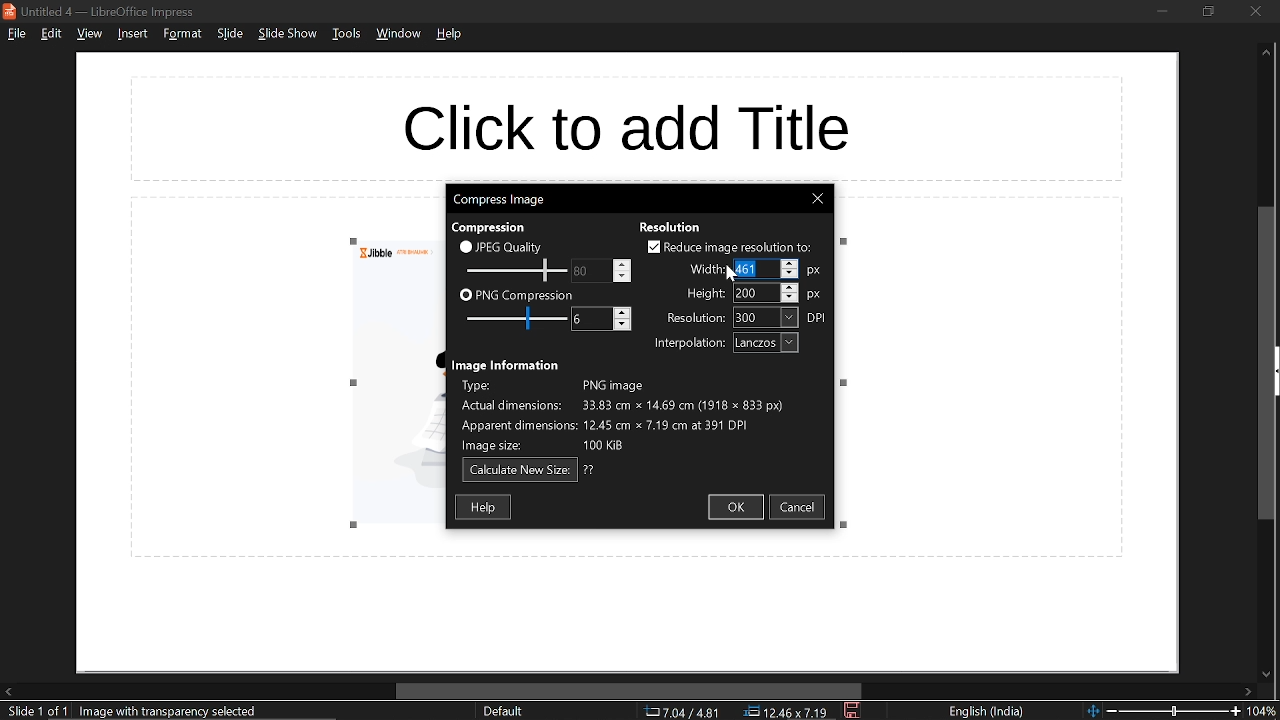 The height and width of the screenshot is (720, 1280). I want to click on text, so click(689, 344).